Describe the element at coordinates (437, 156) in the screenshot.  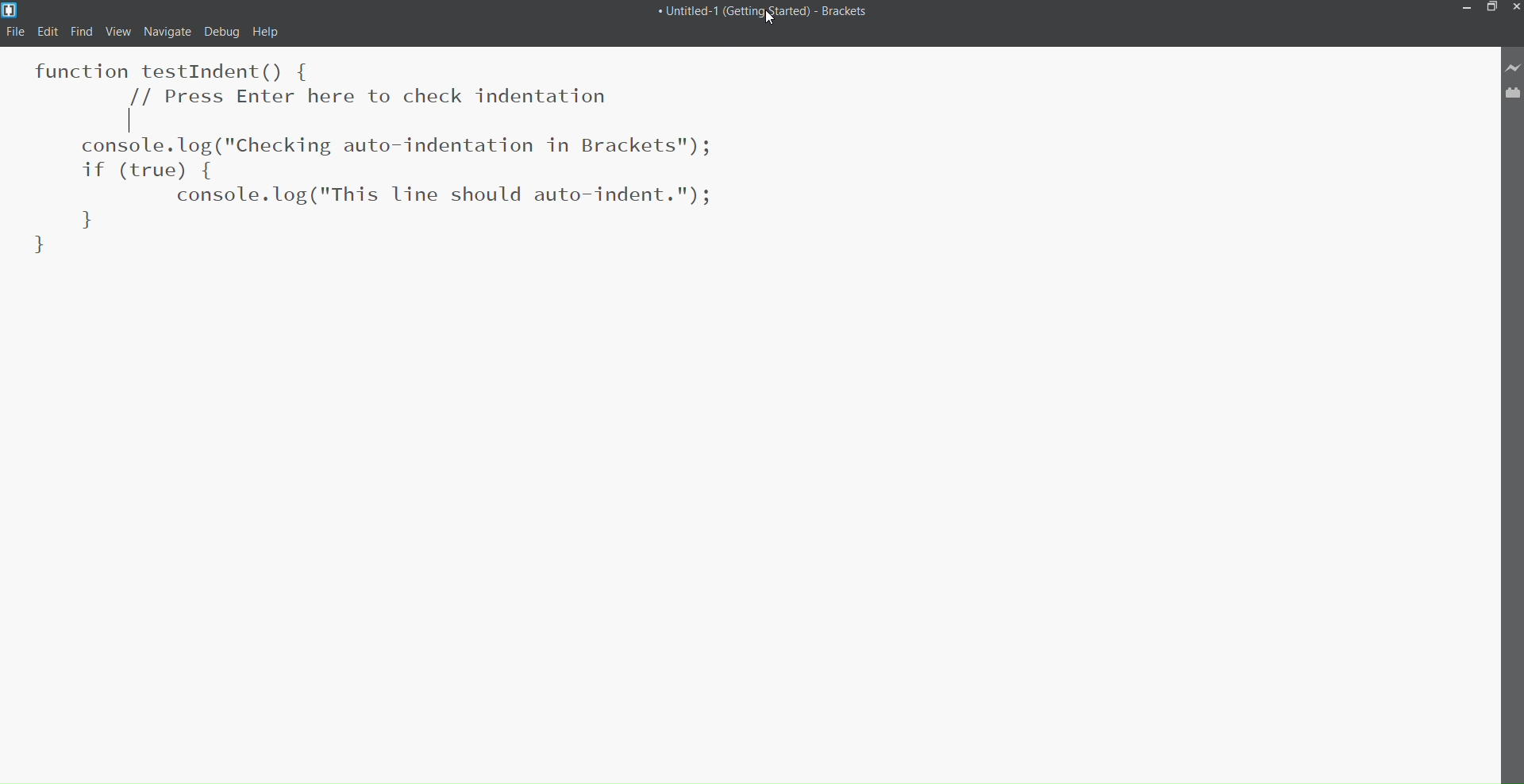
I see `Code` at that location.